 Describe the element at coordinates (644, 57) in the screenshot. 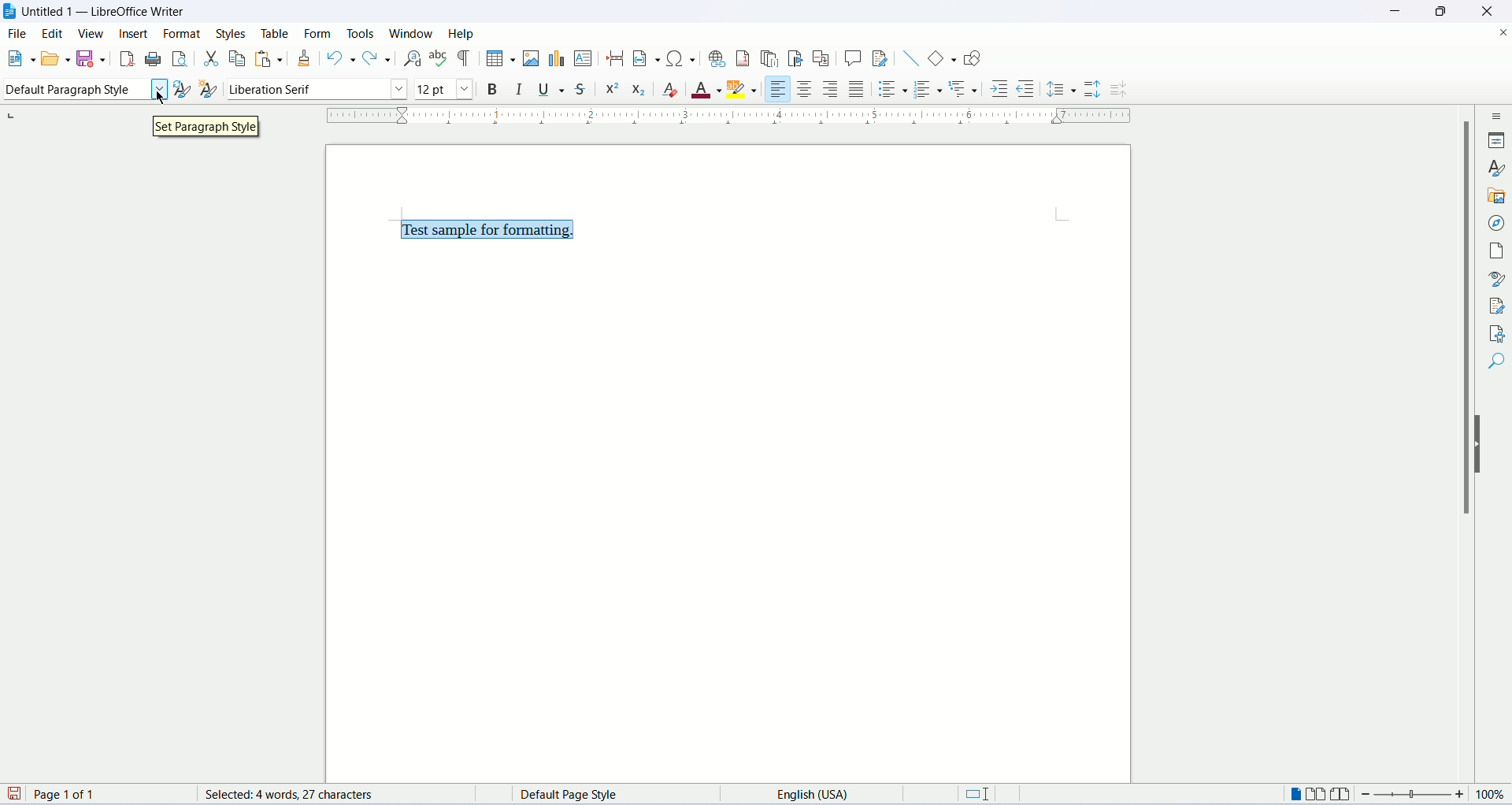

I see `insert field` at that location.